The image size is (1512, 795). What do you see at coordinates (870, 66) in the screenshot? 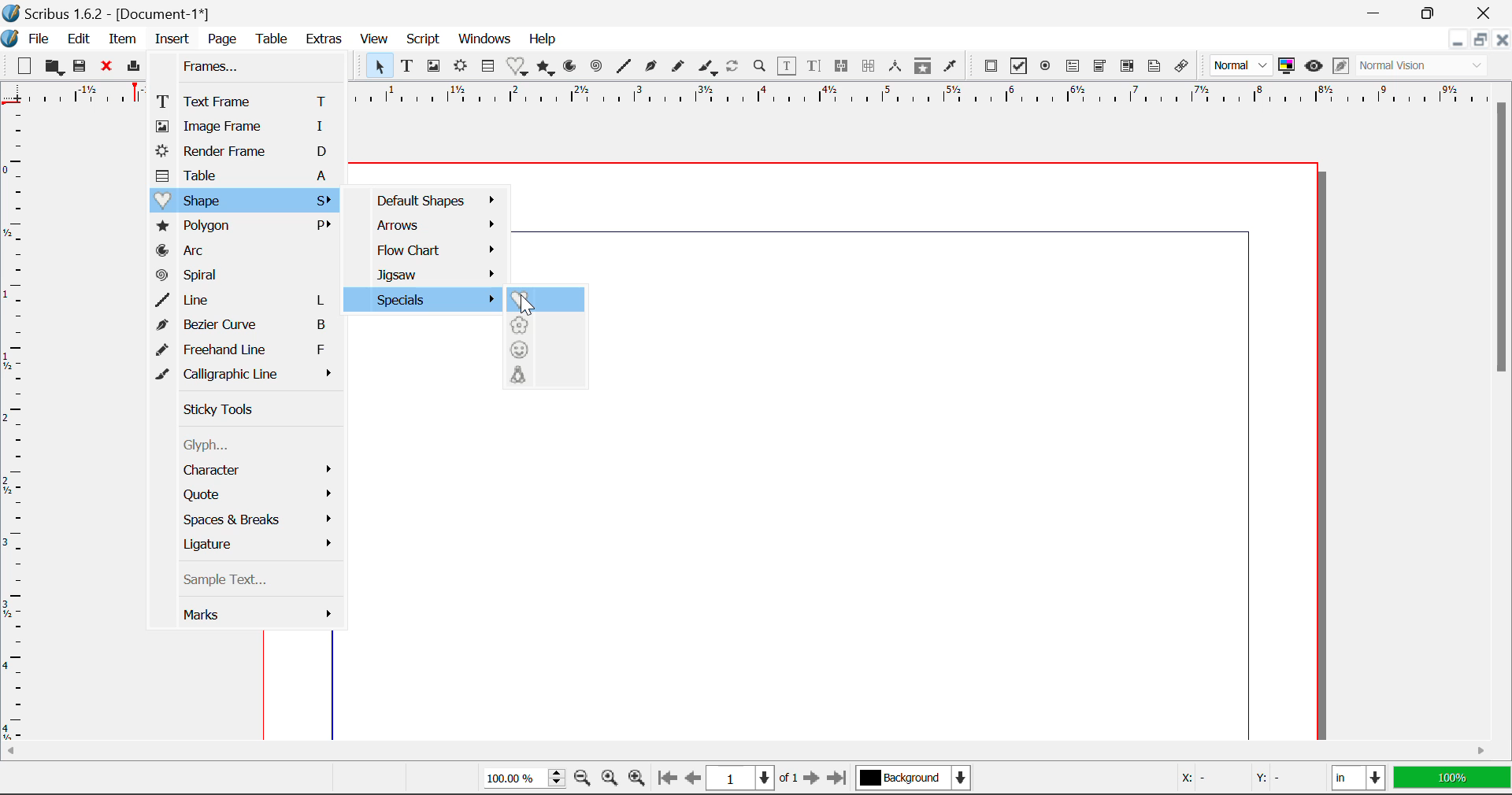
I see `Delink Text Frames` at bounding box center [870, 66].